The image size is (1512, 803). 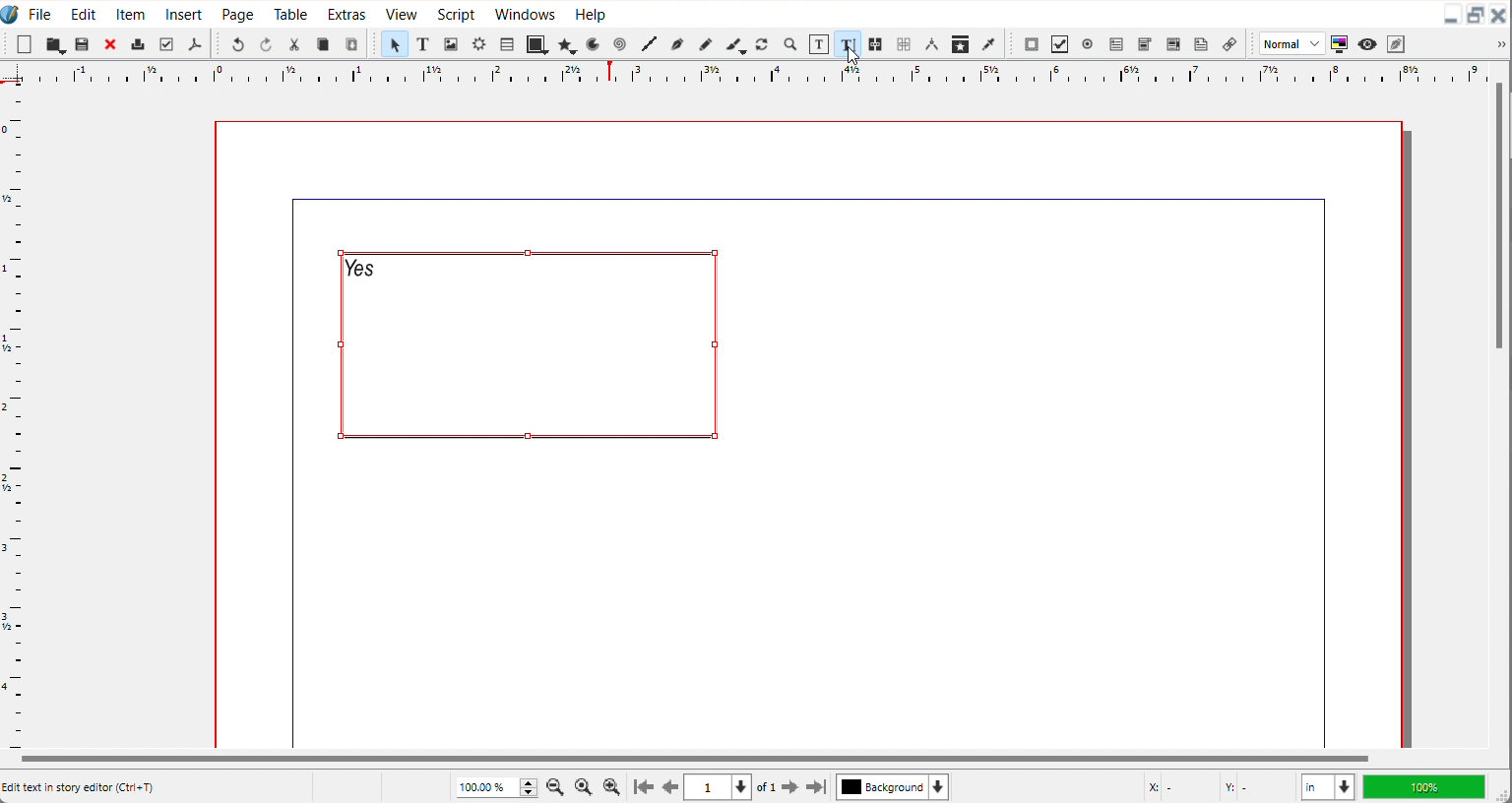 What do you see at coordinates (237, 43) in the screenshot?
I see `Undo` at bounding box center [237, 43].